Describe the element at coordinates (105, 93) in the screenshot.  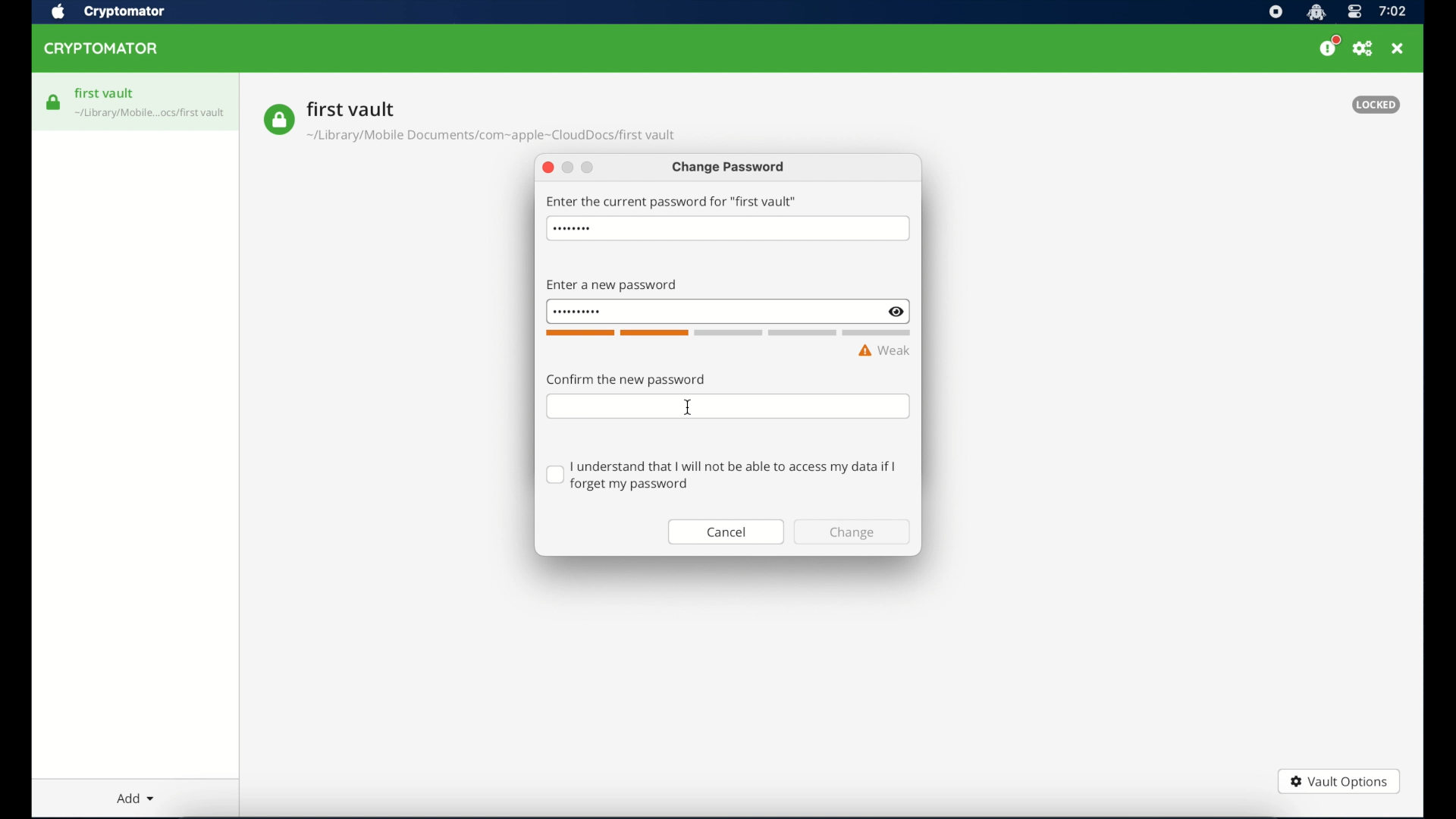
I see `first vault` at that location.